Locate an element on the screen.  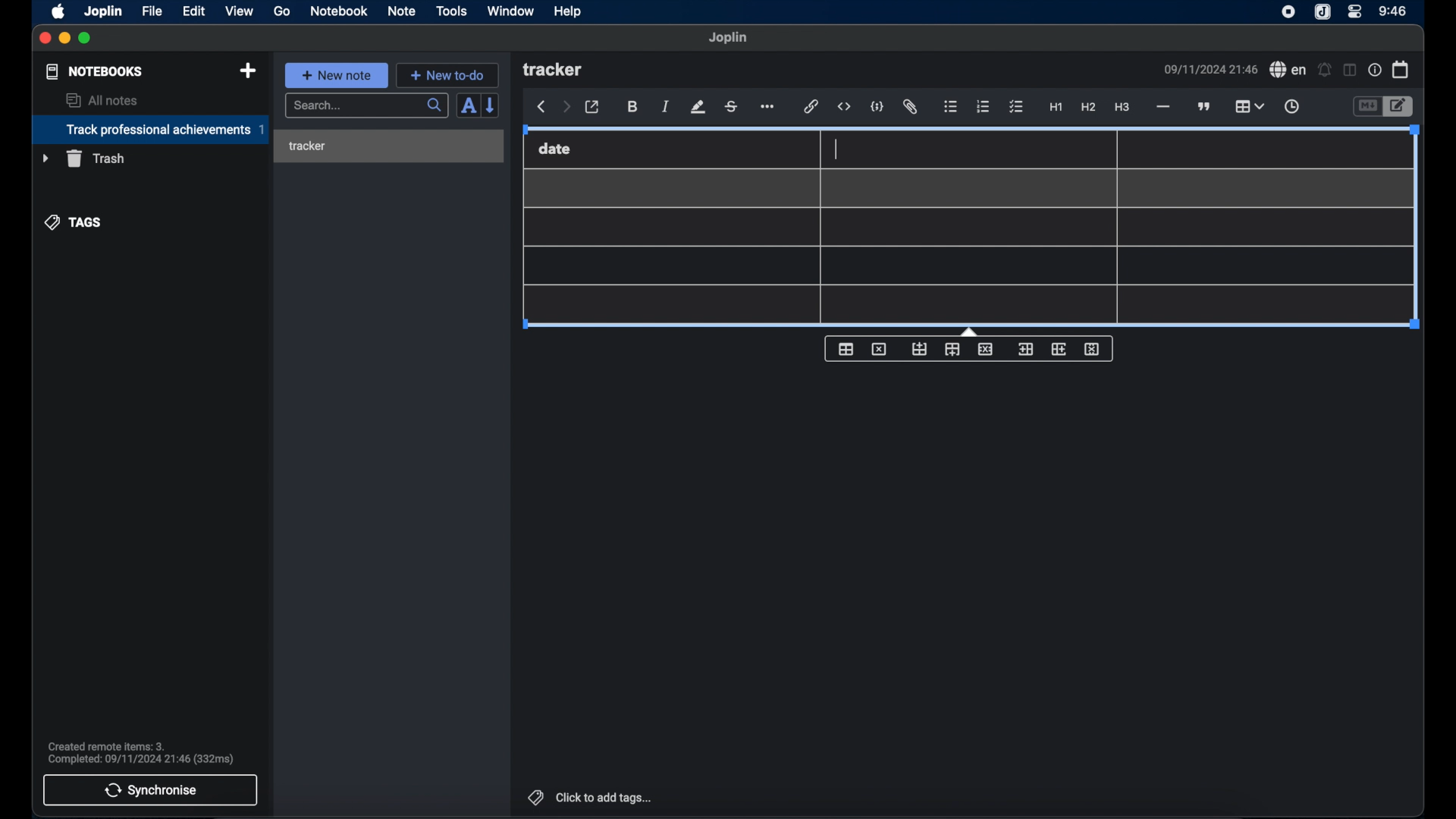
hyperlink is located at coordinates (811, 107).